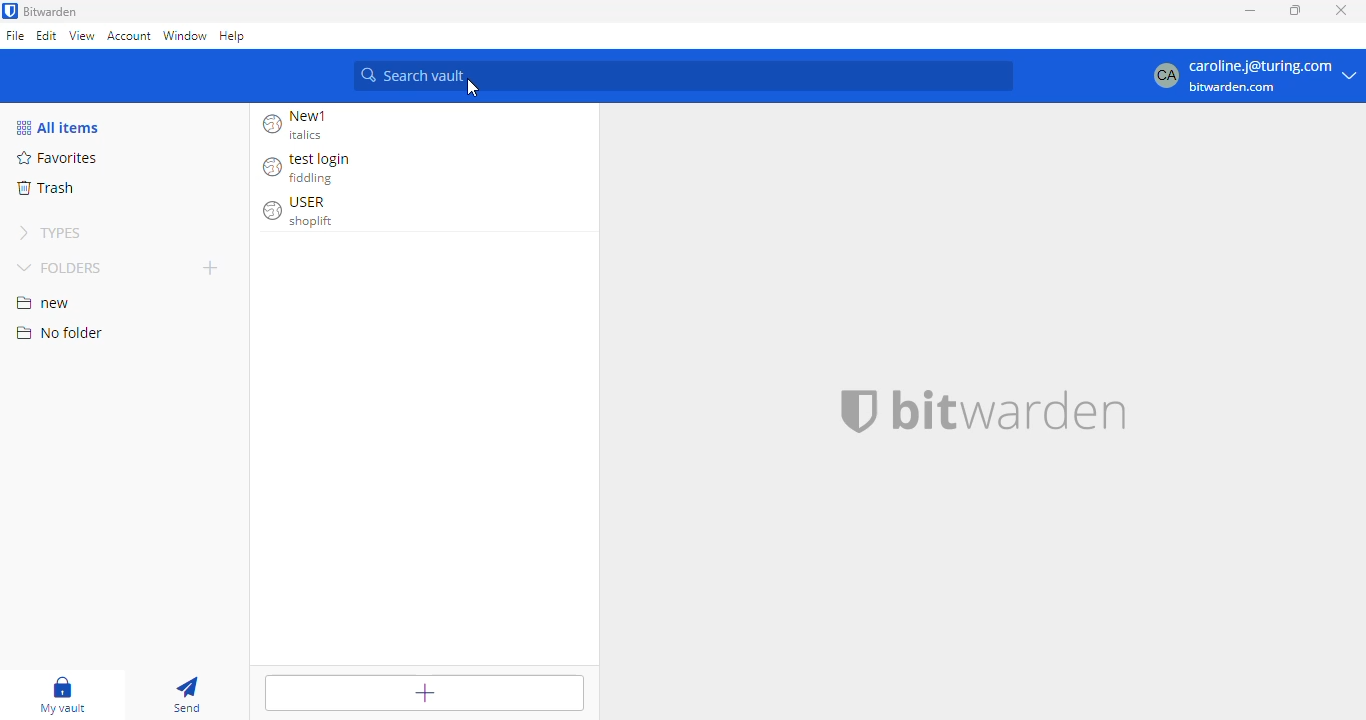  What do you see at coordinates (129, 38) in the screenshot?
I see `account` at bounding box center [129, 38].